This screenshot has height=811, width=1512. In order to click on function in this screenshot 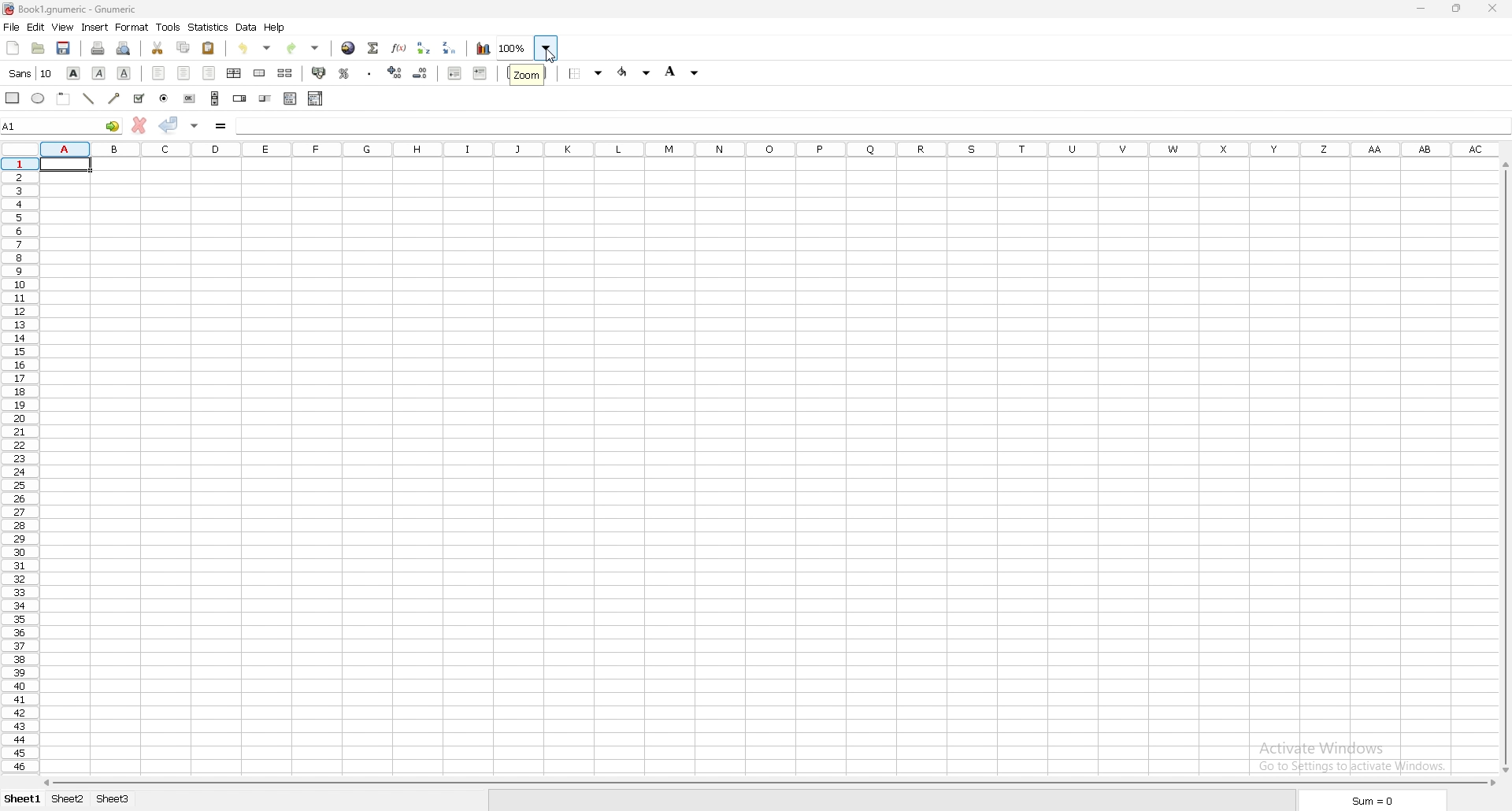, I will do `click(398, 48)`.